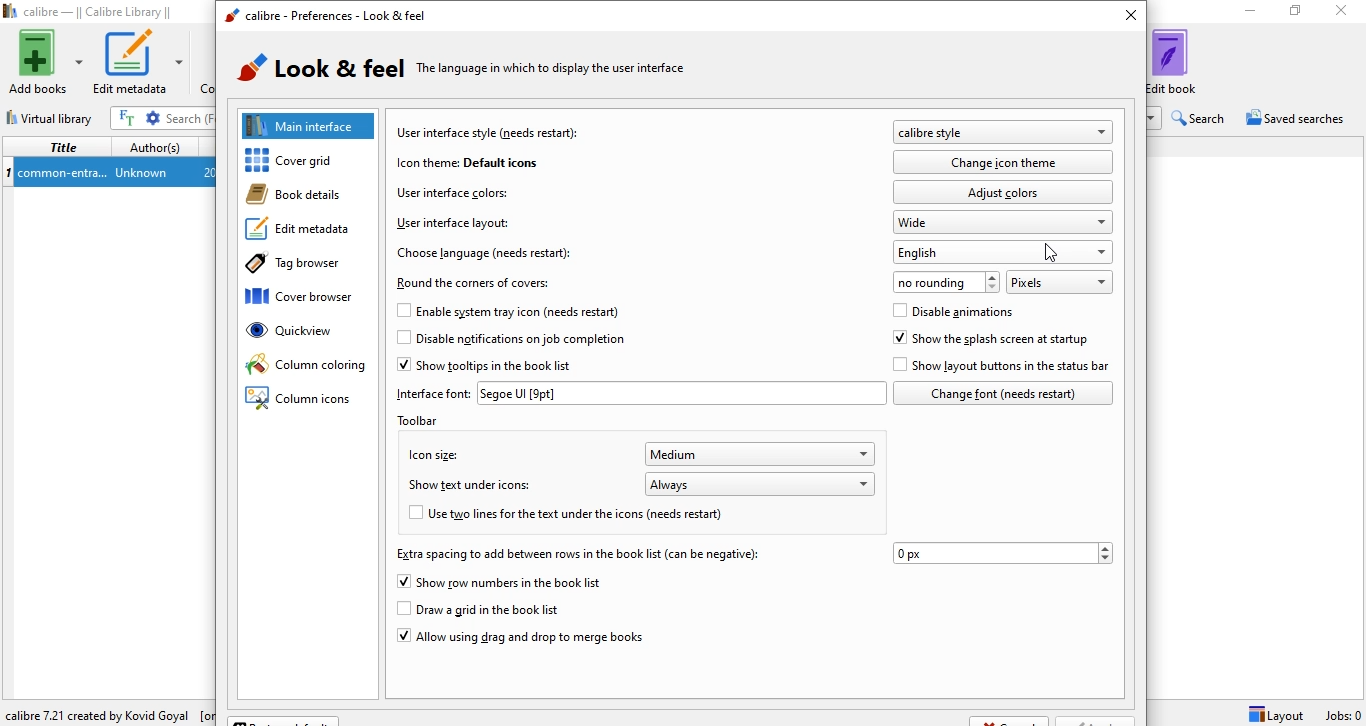 The height and width of the screenshot is (726, 1366). What do you see at coordinates (489, 311) in the screenshot?
I see `enable system tray icon (needs restart)` at bounding box center [489, 311].